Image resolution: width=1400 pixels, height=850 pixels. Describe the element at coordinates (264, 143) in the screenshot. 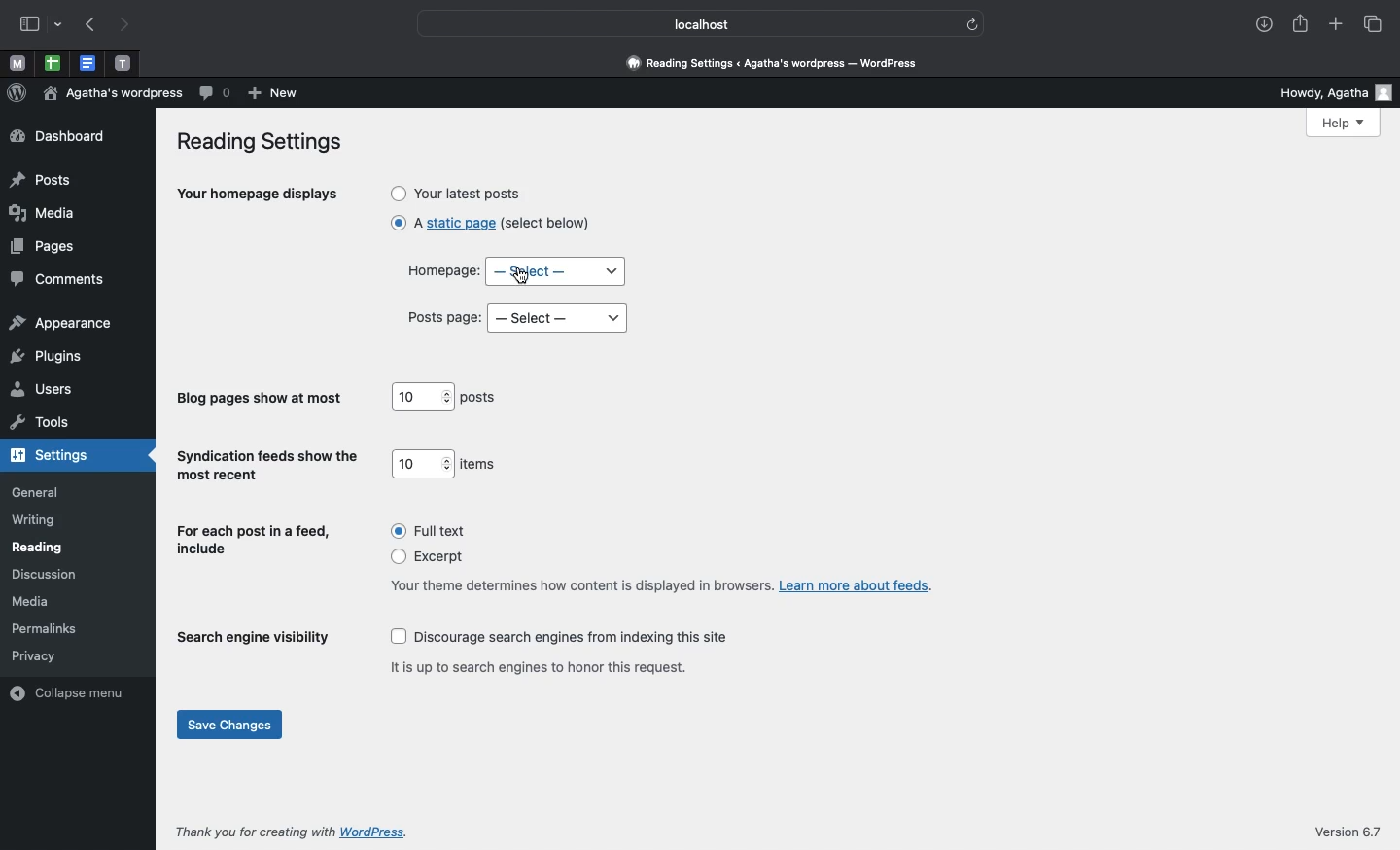

I see `Reading settings` at that location.